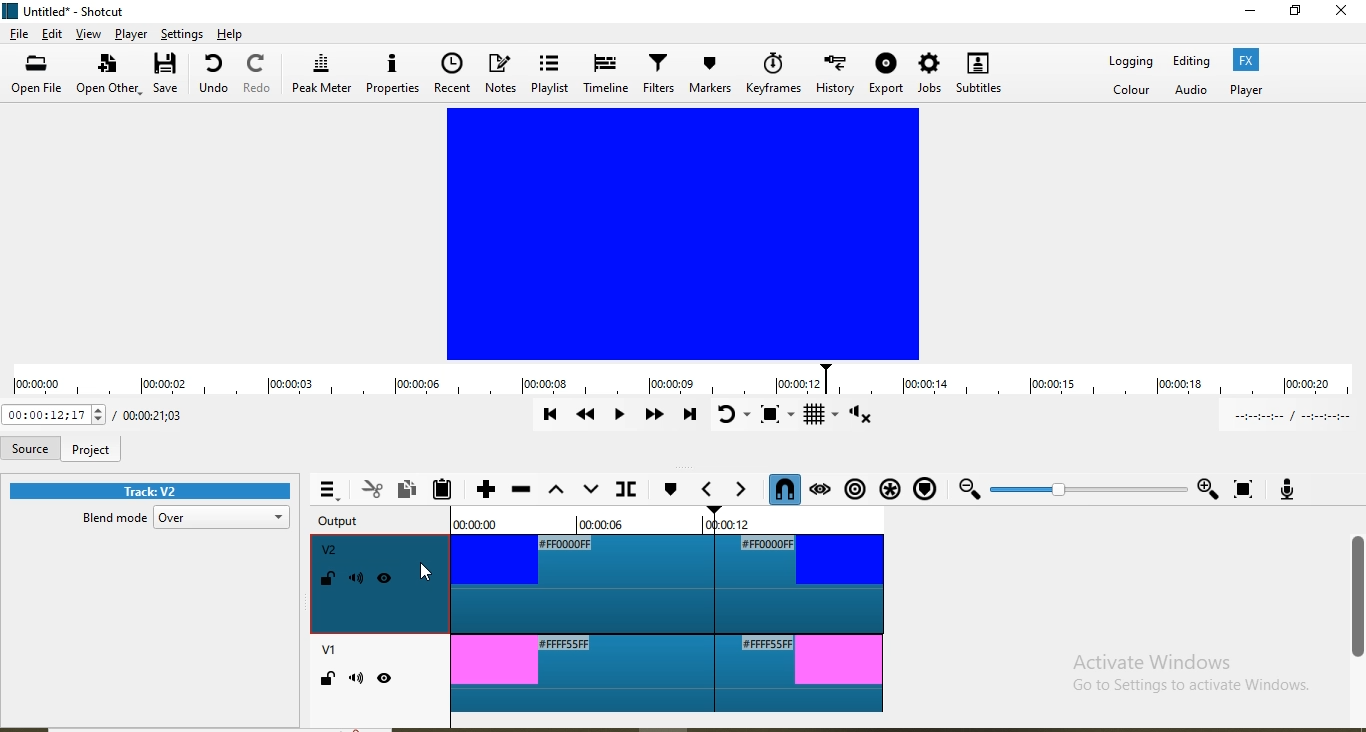 Image resolution: width=1366 pixels, height=732 pixels. I want to click on Recent, so click(456, 72).